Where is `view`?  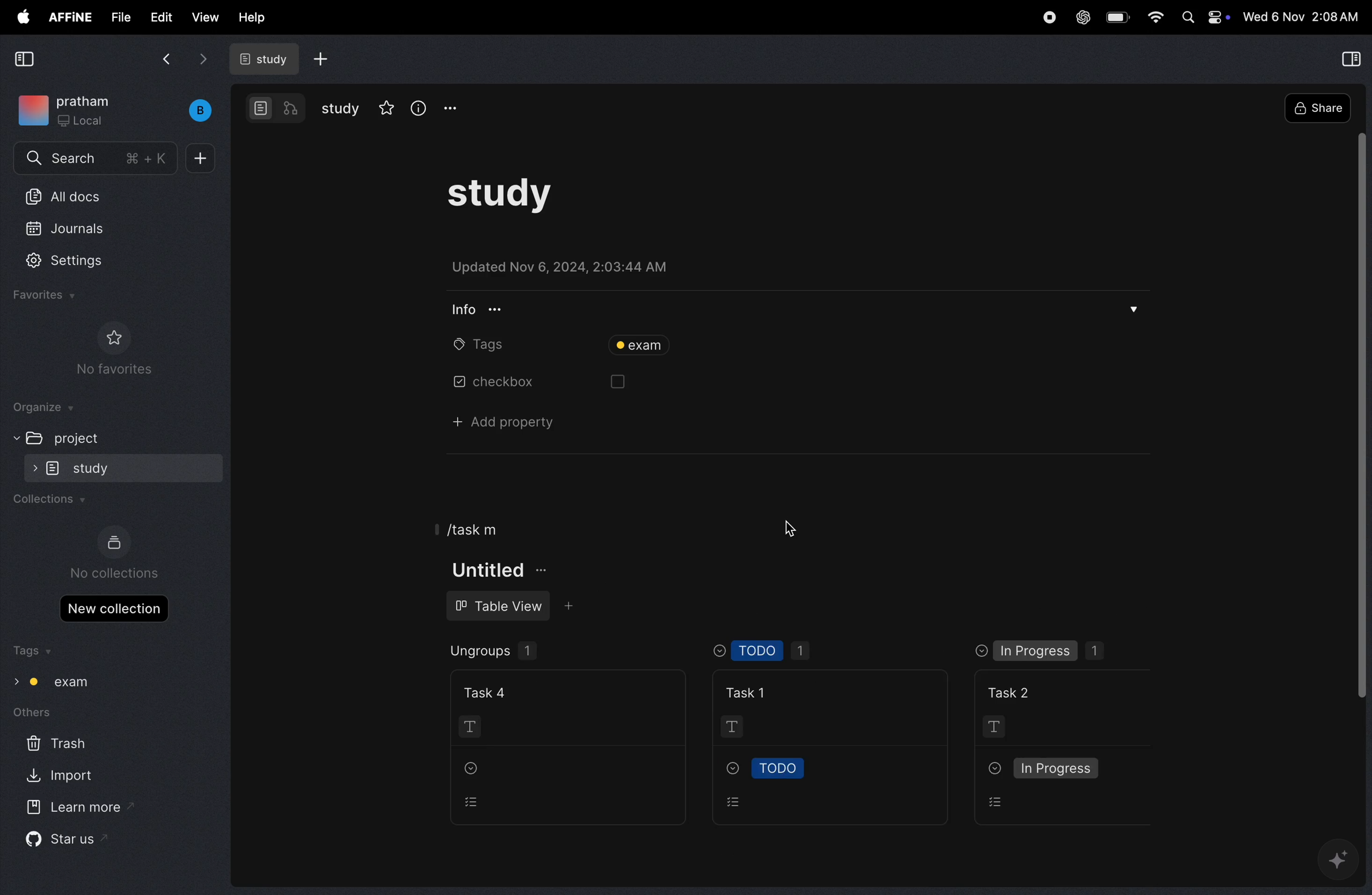
view is located at coordinates (205, 18).